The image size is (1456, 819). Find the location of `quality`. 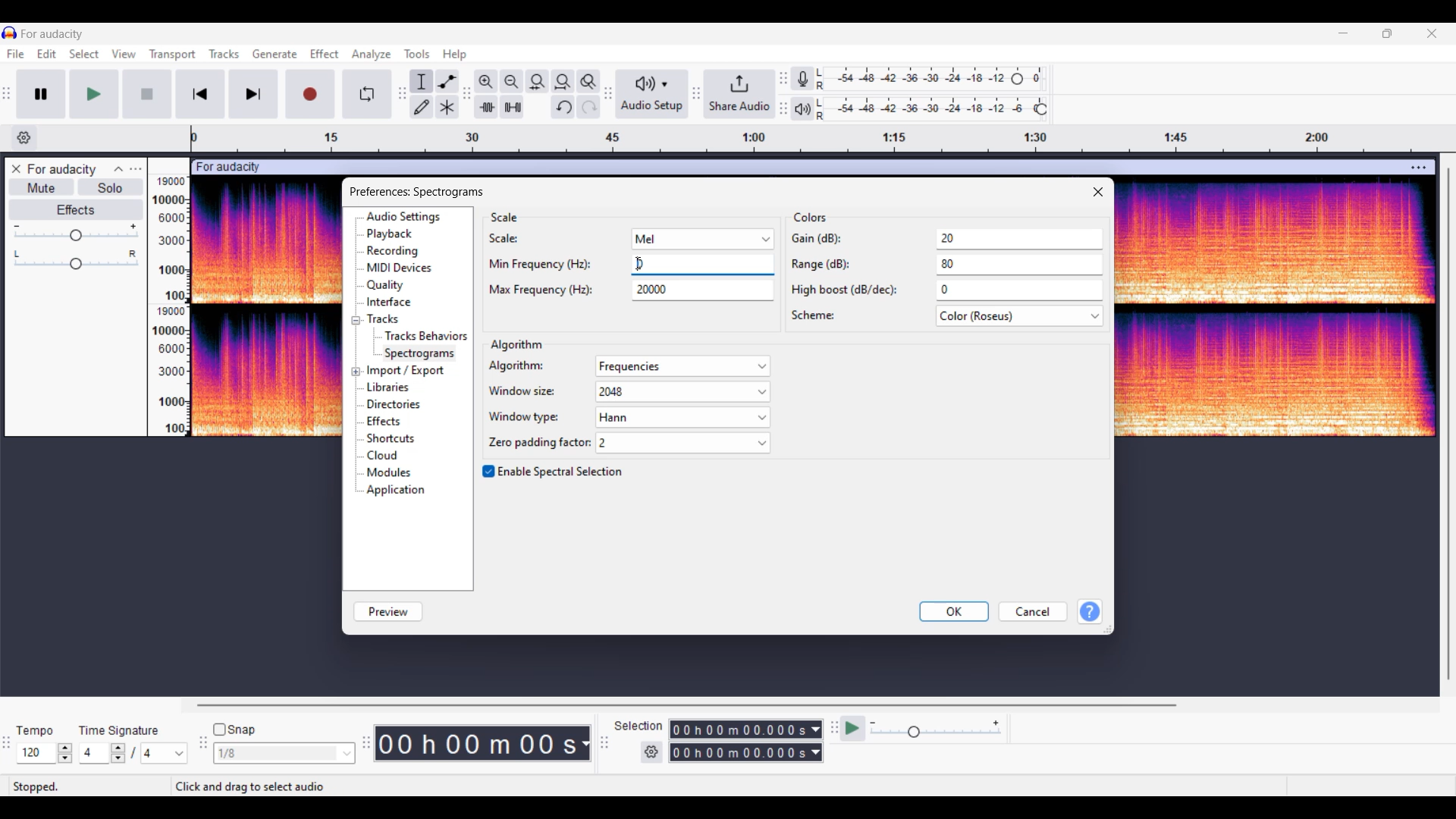

quality is located at coordinates (388, 286).